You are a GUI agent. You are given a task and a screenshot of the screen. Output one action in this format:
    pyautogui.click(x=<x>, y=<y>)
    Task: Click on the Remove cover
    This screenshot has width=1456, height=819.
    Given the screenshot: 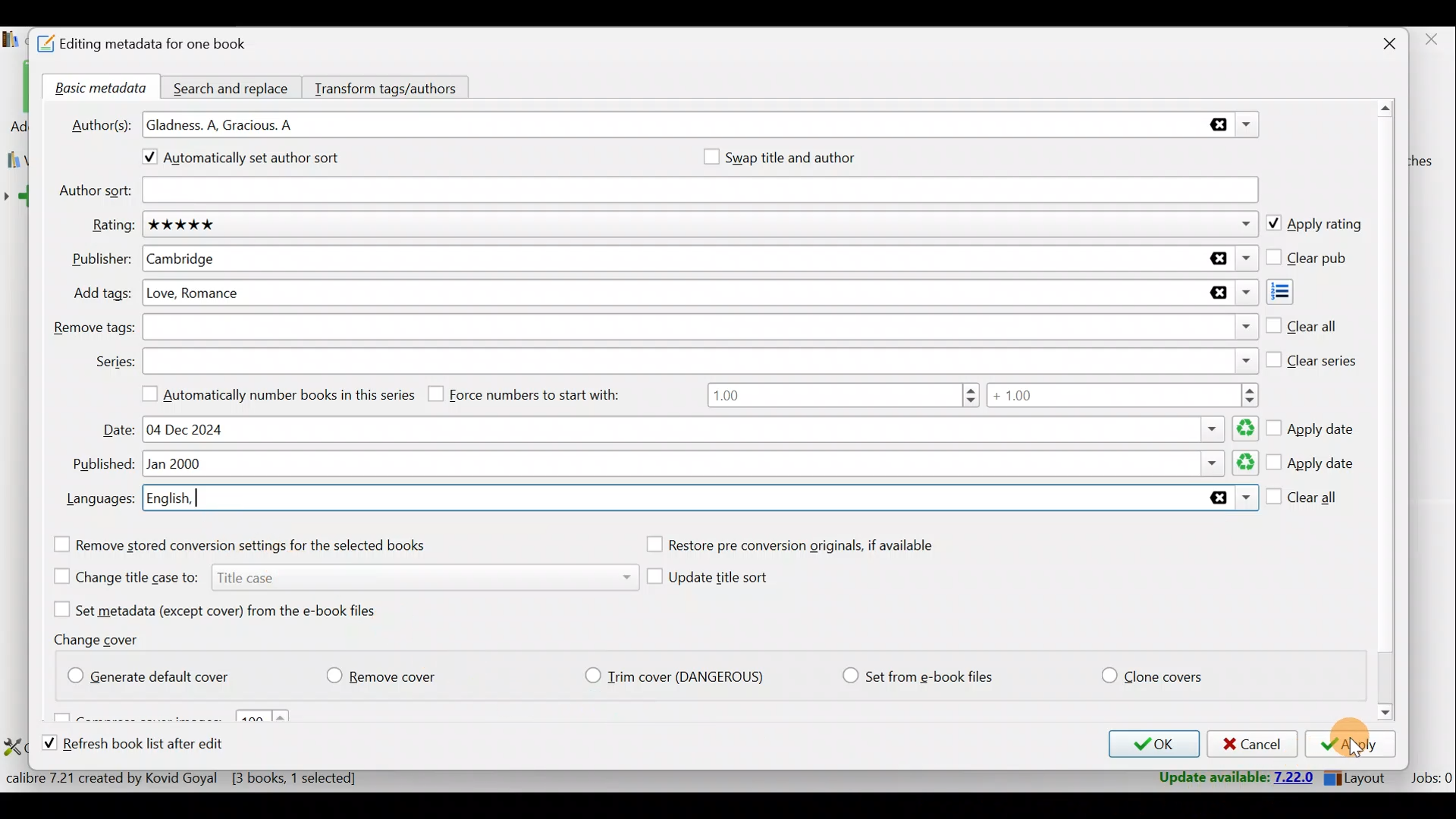 What is the action you would take?
    pyautogui.click(x=391, y=673)
    